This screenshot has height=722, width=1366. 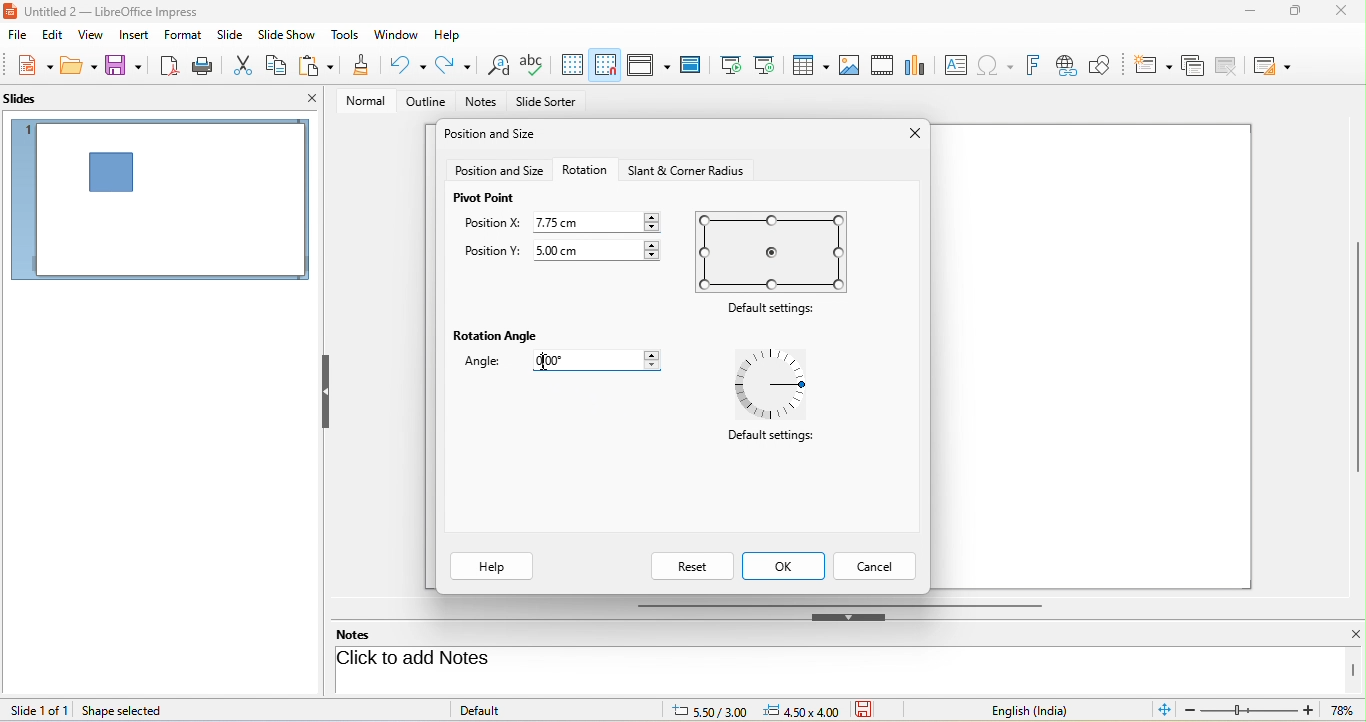 I want to click on cancel, so click(x=877, y=566).